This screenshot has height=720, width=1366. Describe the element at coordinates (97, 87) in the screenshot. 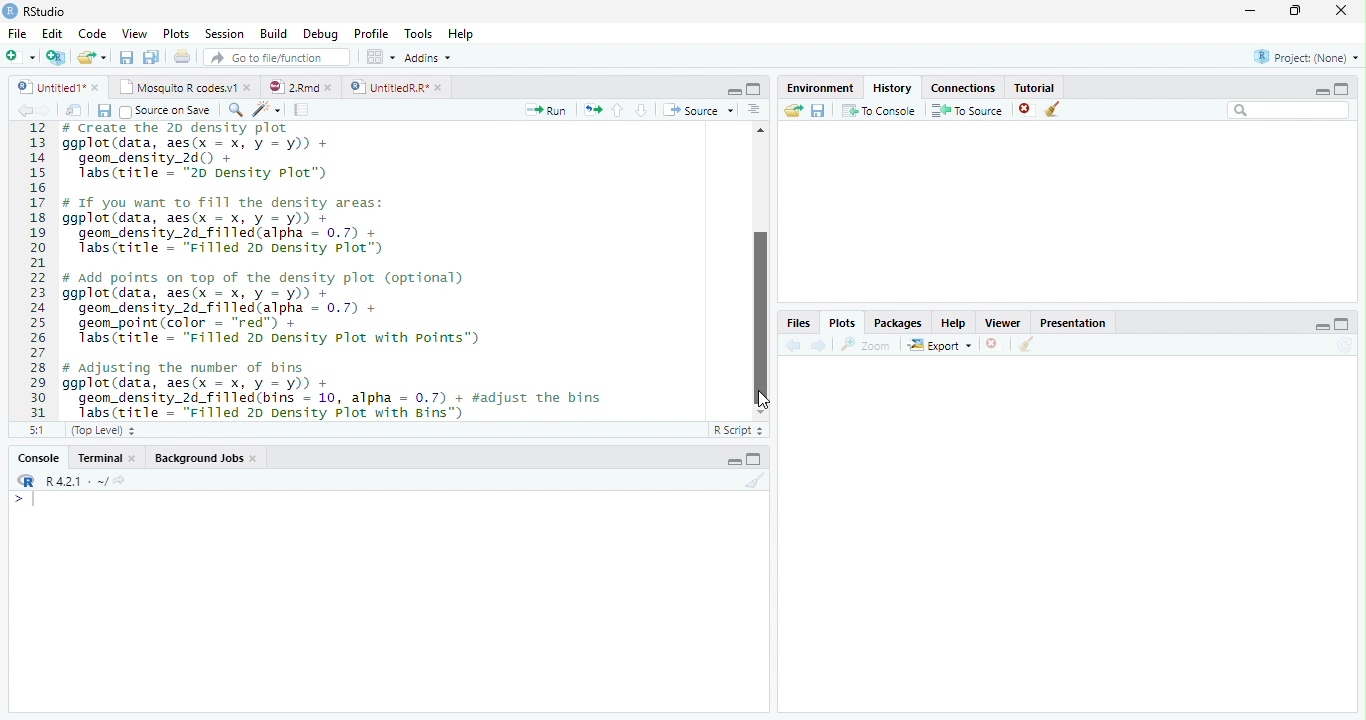

I see `close` at that location.